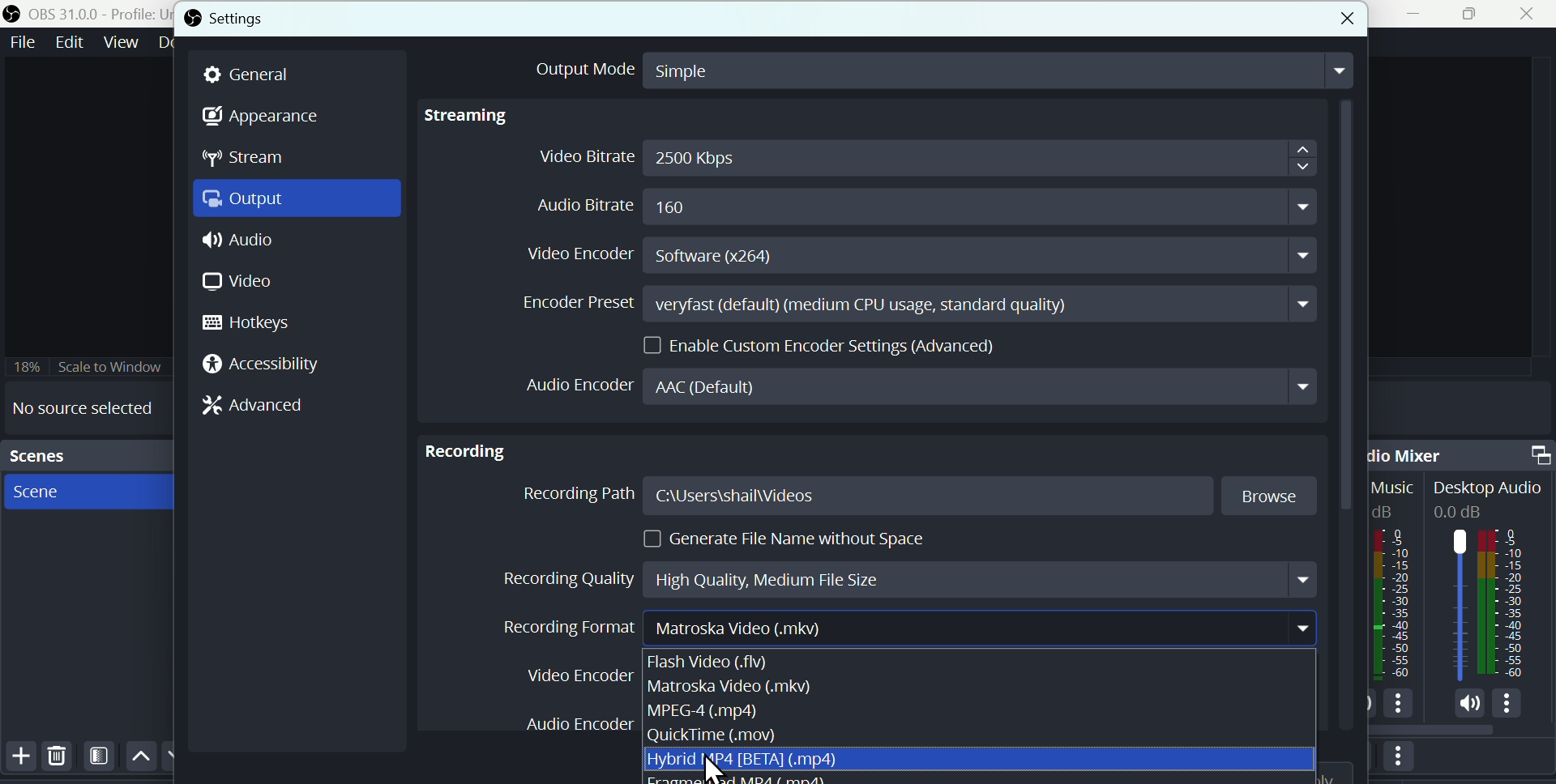 The height and width of the screenshot is (784, 1556). I want to click on Quicktime, so click(713, 735).